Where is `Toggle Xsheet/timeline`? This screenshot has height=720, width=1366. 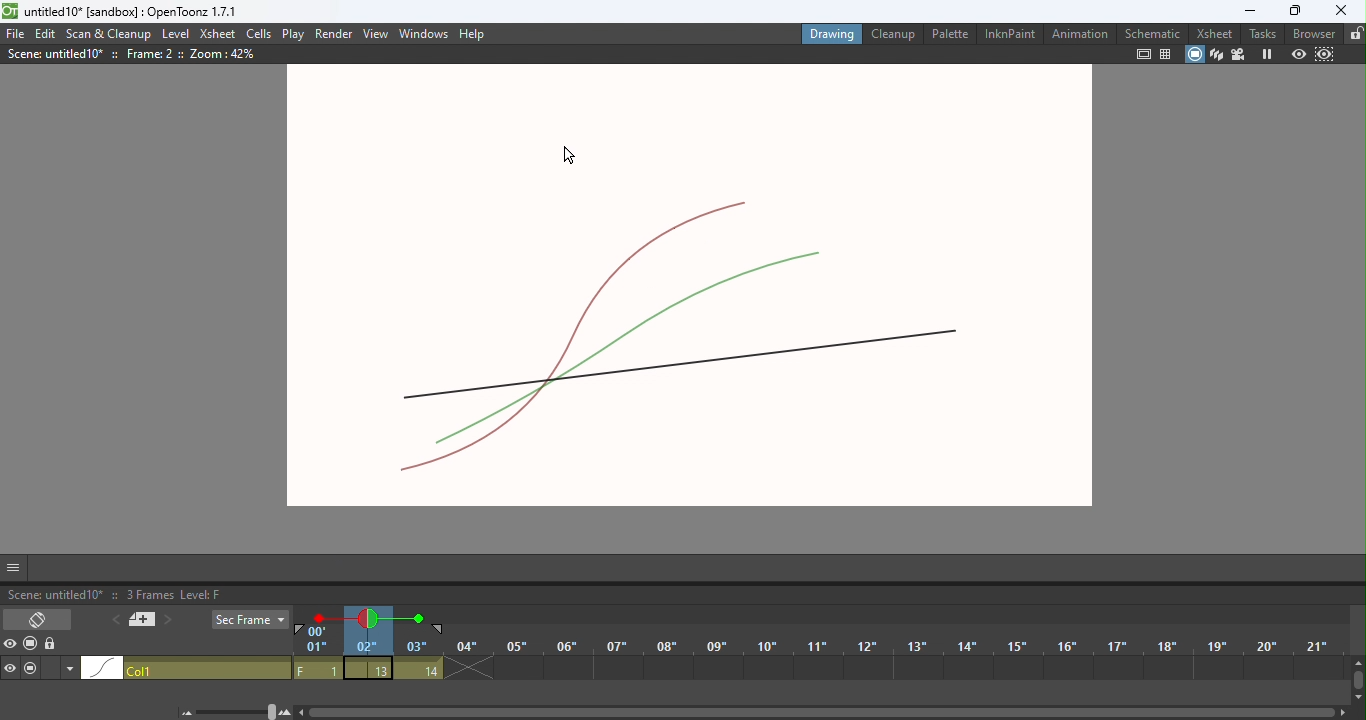 Toggle Xsheet/timeline is located at coordinates (38, 620).